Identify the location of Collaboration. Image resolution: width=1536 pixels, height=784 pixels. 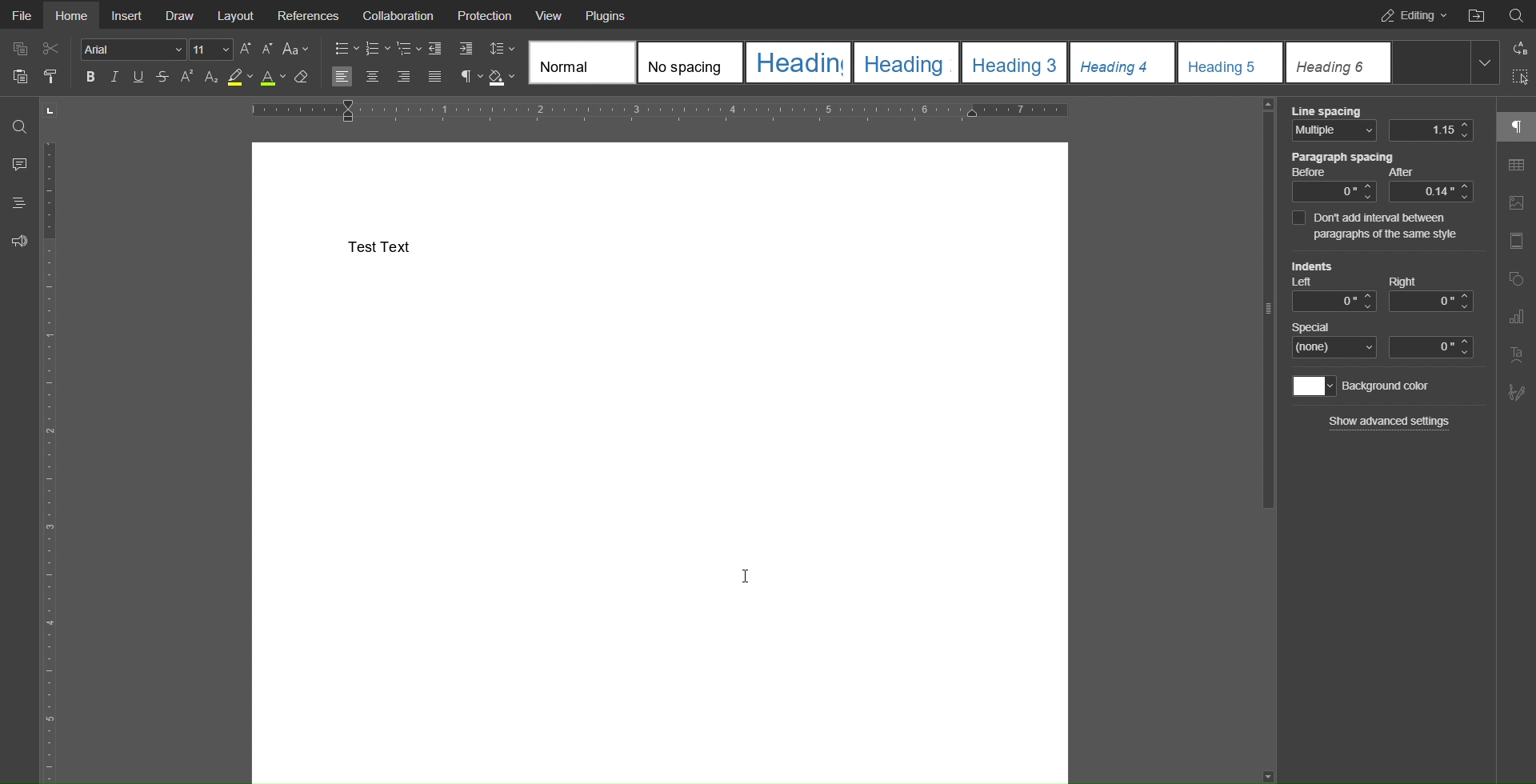
(394, 14).